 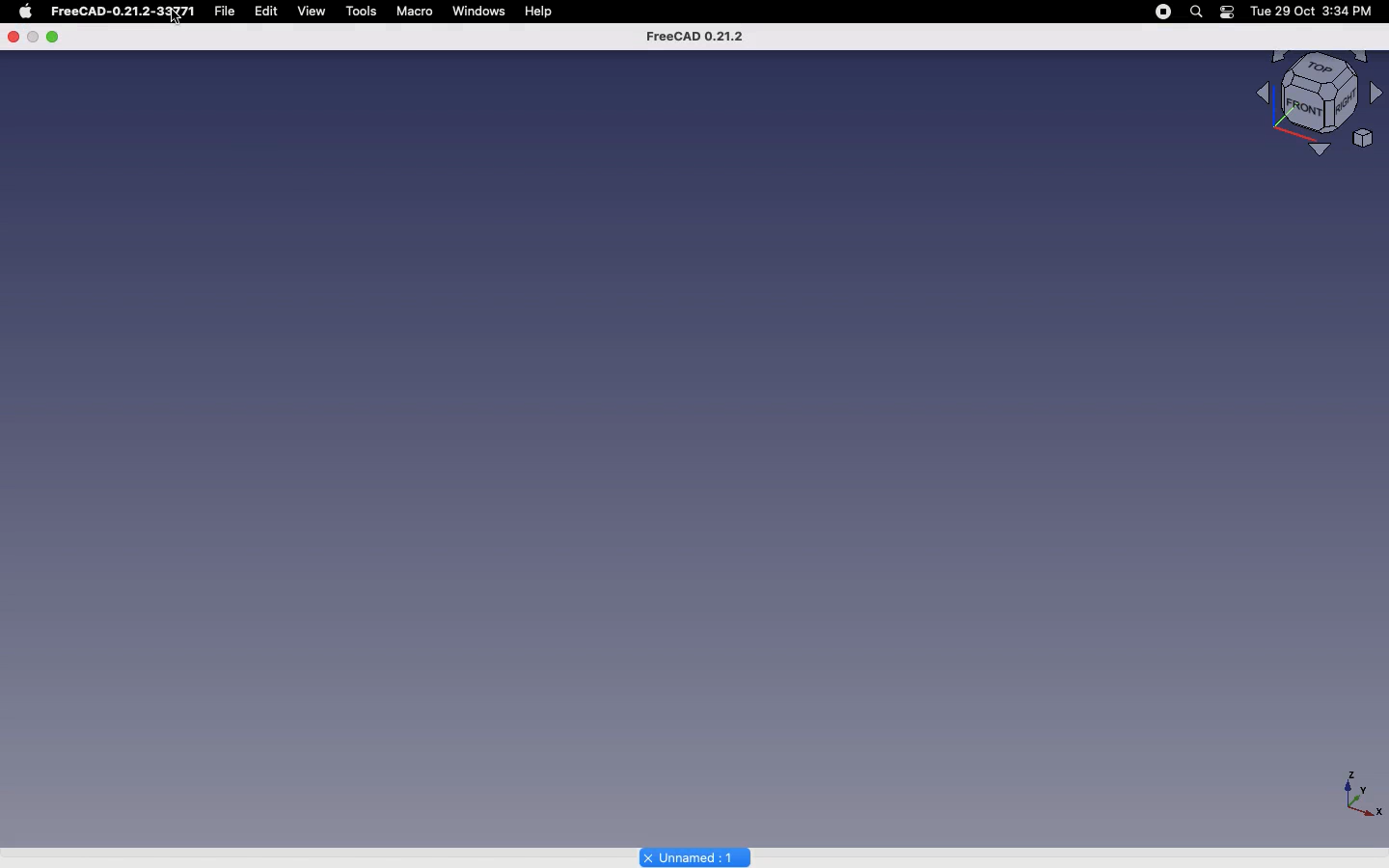 What do you see at coordinates (360, 11) in the screenshot?
I see `tools` at bounding box center [360, 11].